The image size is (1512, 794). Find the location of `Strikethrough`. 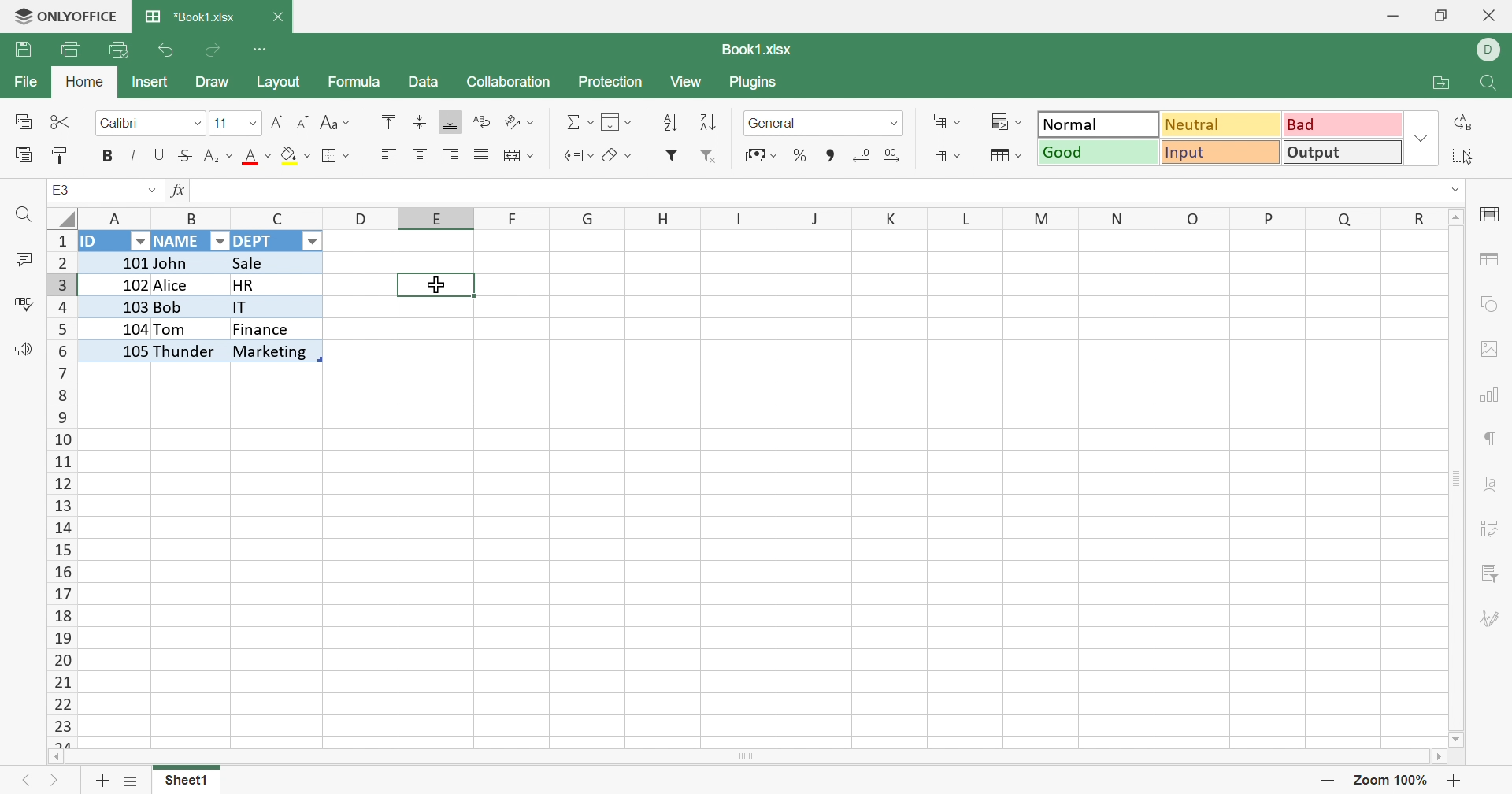

Strikethrough is located at coordinates (187, 156).